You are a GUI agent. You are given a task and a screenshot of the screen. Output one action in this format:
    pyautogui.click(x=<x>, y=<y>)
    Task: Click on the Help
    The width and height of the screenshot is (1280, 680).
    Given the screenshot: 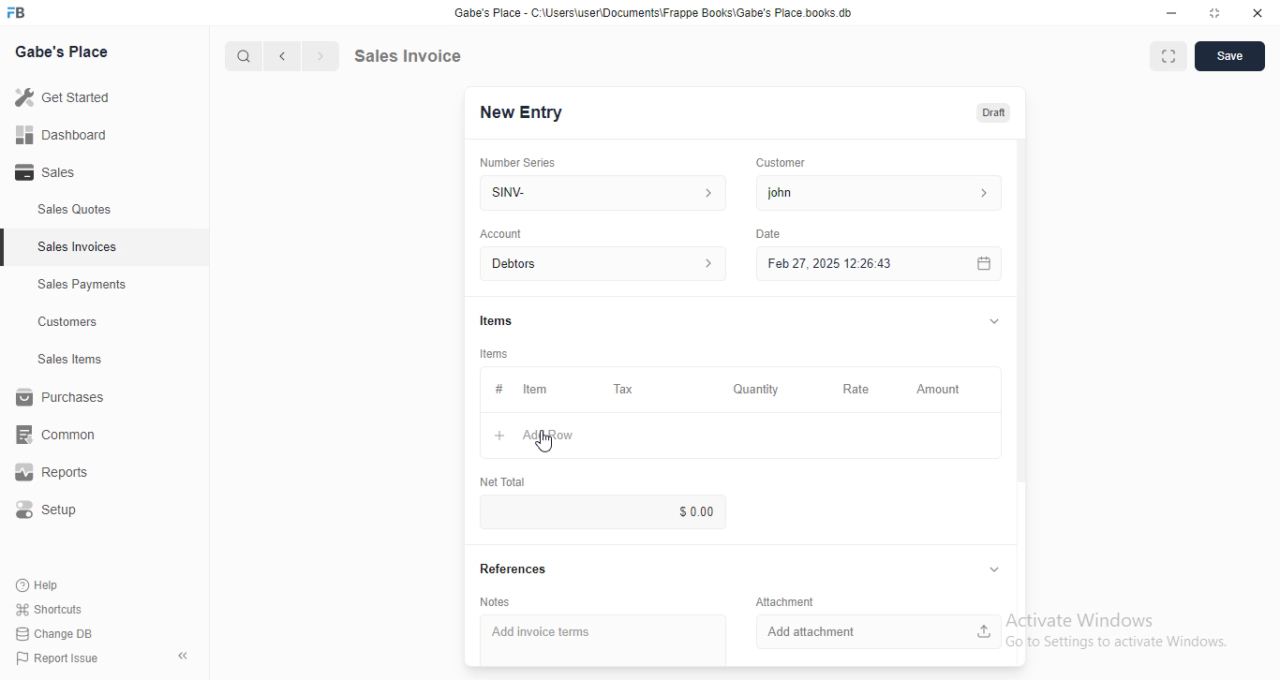 What is the action you would take?
    pyautogui.click(x=44, y=585)
    